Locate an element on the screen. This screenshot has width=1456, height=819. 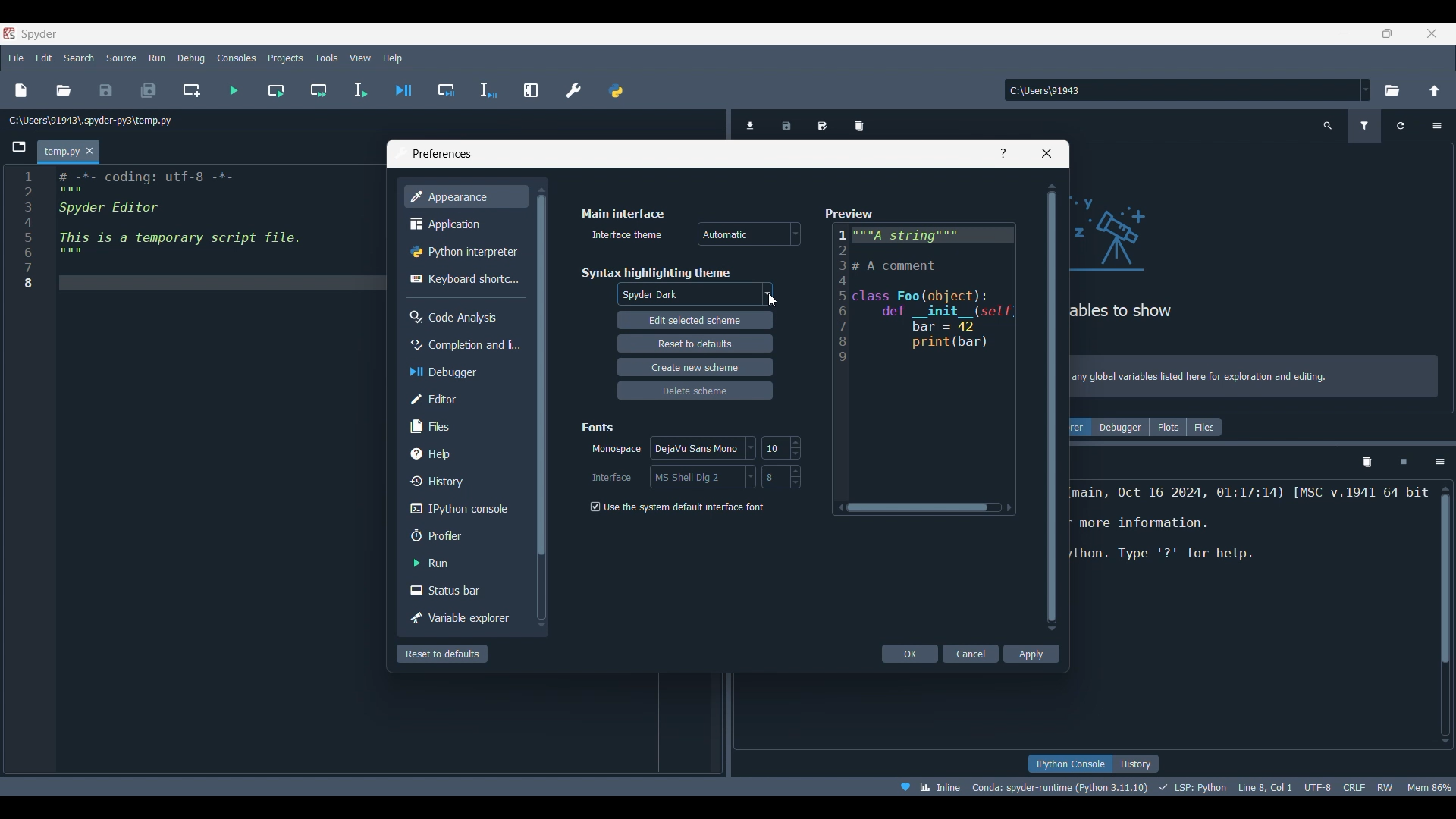
Refresh variables is located at coordinates (1401, 126).